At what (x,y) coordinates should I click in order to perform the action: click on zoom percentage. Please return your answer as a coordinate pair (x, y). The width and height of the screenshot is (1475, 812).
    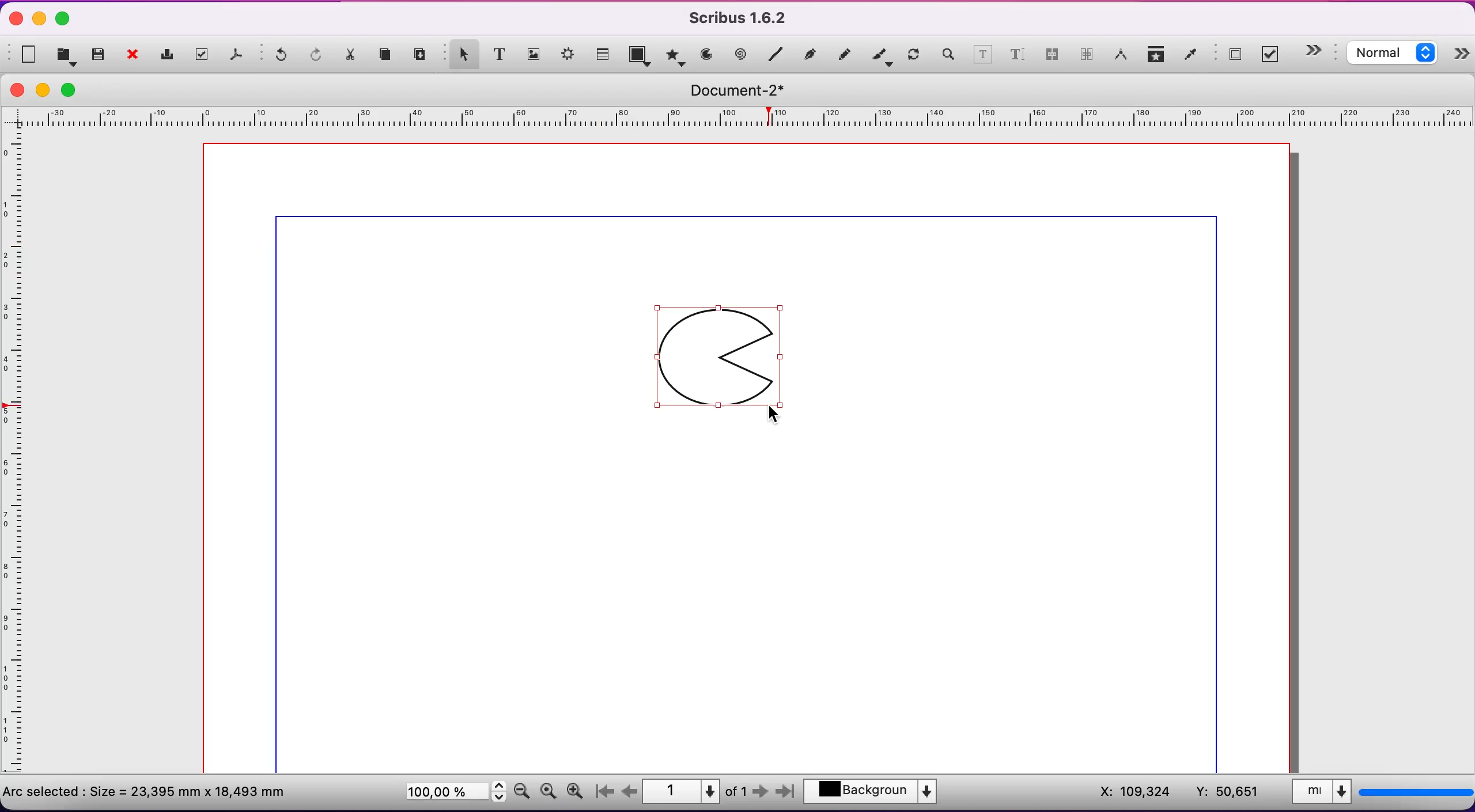
    Looking at the image, I should click on (453, 794).